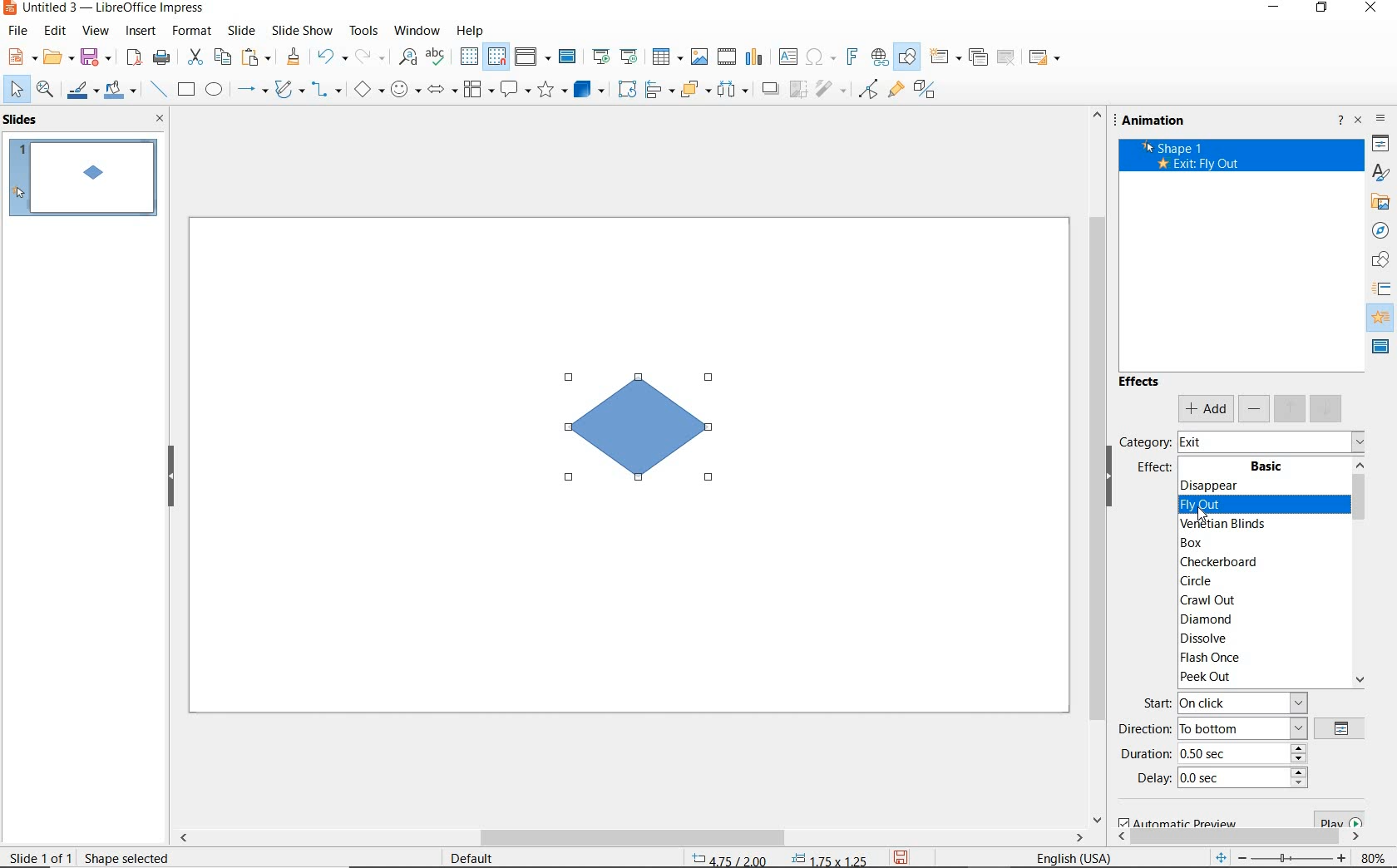 The height and width of the screenshot is (868, 1397). Describe the element at coordinates (95, 32) in the screenshot. I see `view` at that location.